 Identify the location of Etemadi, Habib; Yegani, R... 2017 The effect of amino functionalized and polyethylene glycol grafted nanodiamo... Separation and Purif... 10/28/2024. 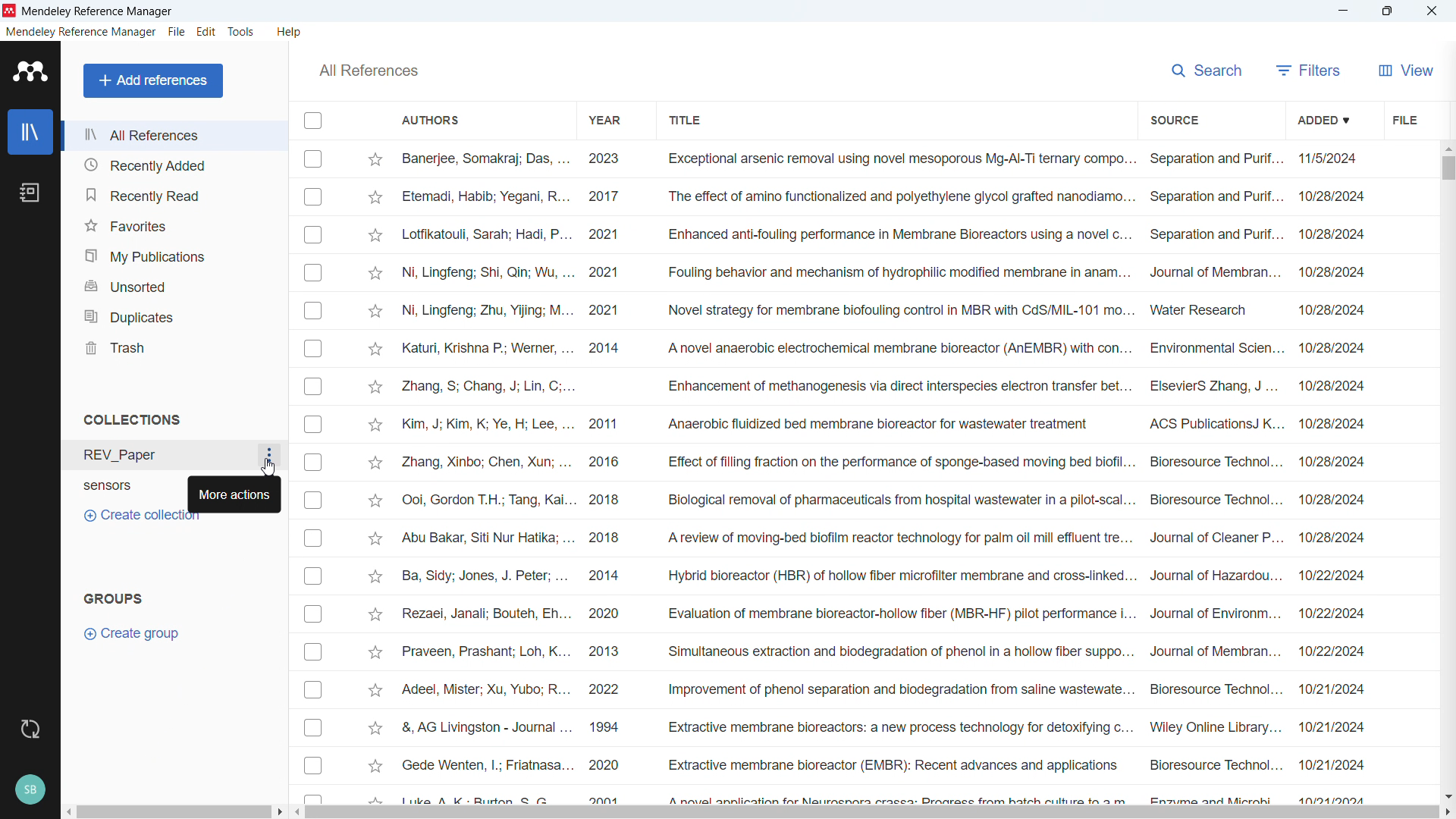
(884, 196).